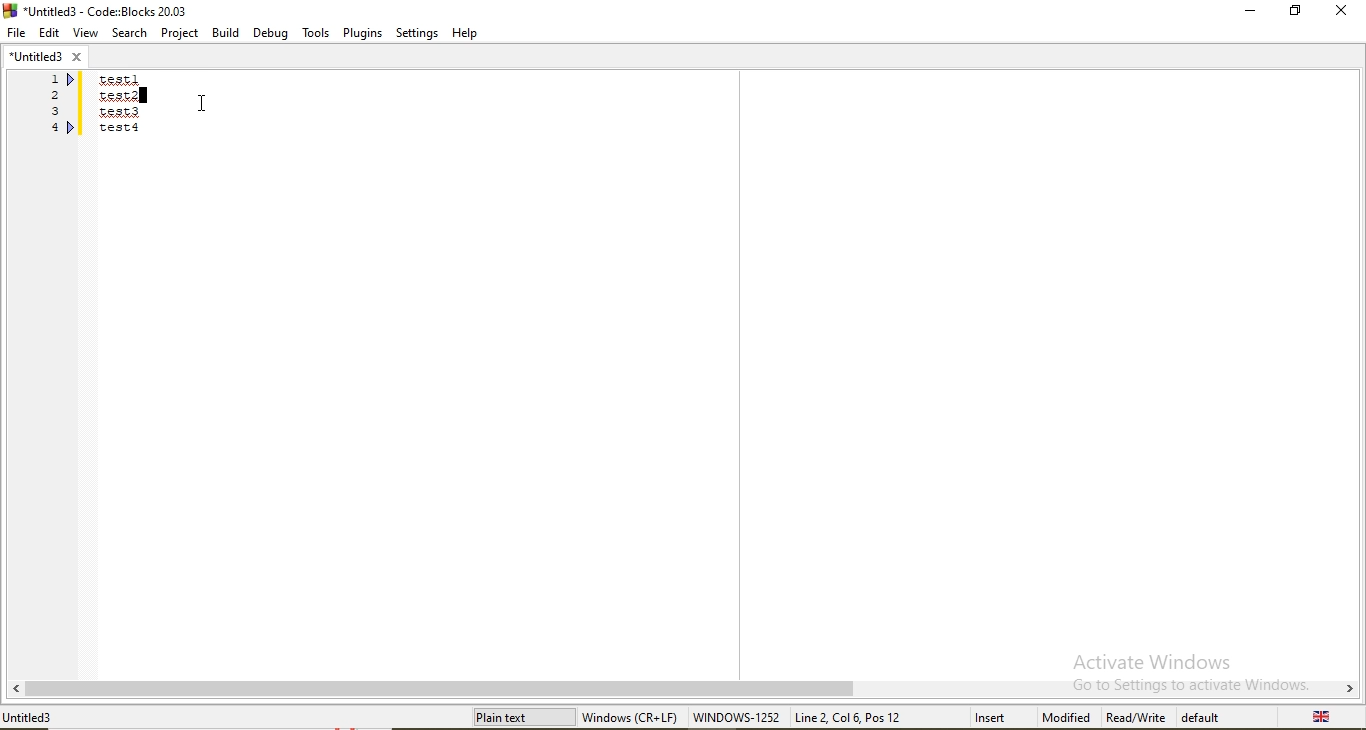 Image resolution: width=1366 pixels, height=730 pixels. What do you see at coordinates (16, 32) in the screenshot?
I see `File` at bounding box center [16, 32].